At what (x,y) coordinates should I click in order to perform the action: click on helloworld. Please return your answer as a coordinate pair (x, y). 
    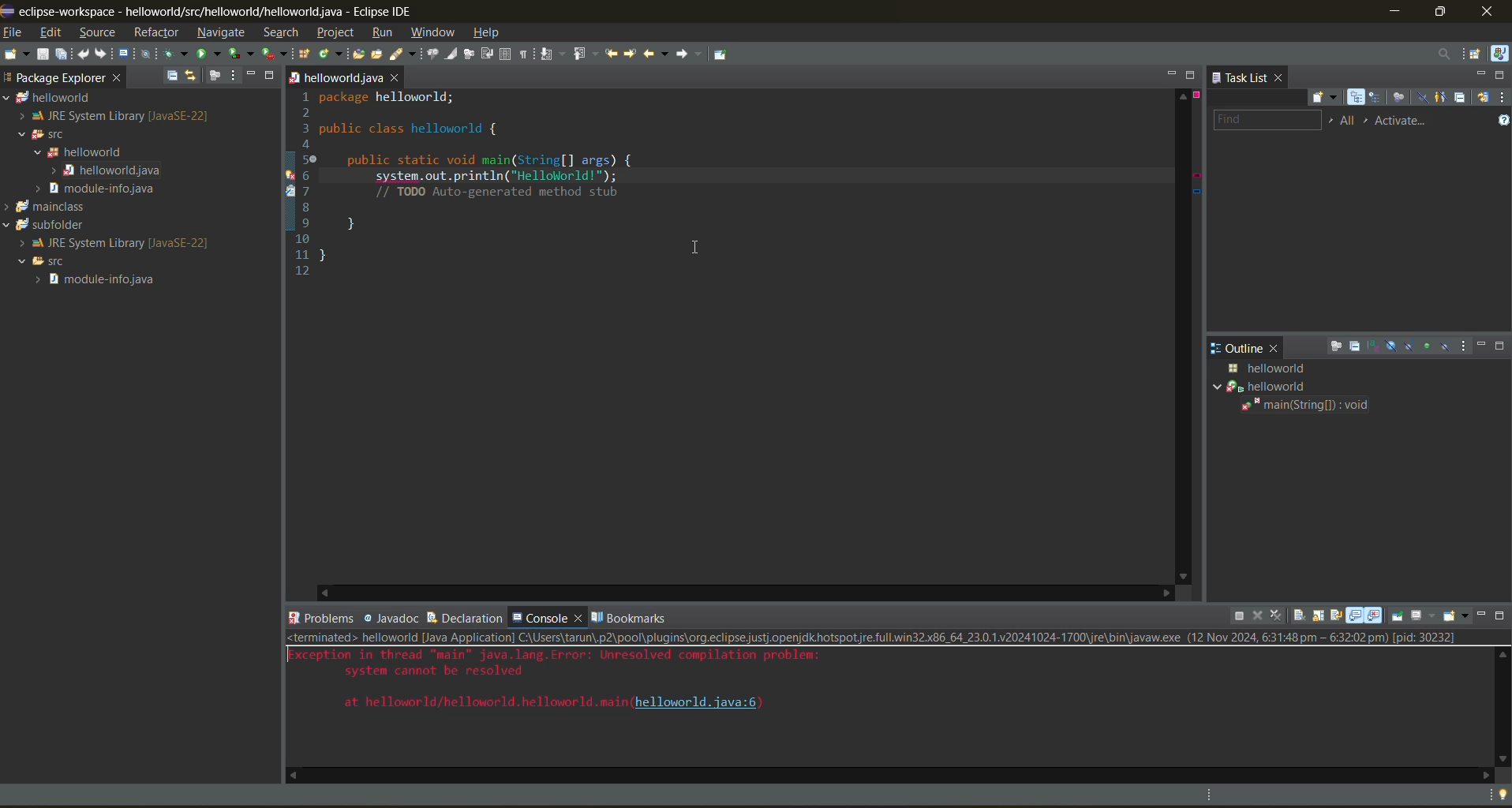
    Looking at the image, I should click on (1300, 386).